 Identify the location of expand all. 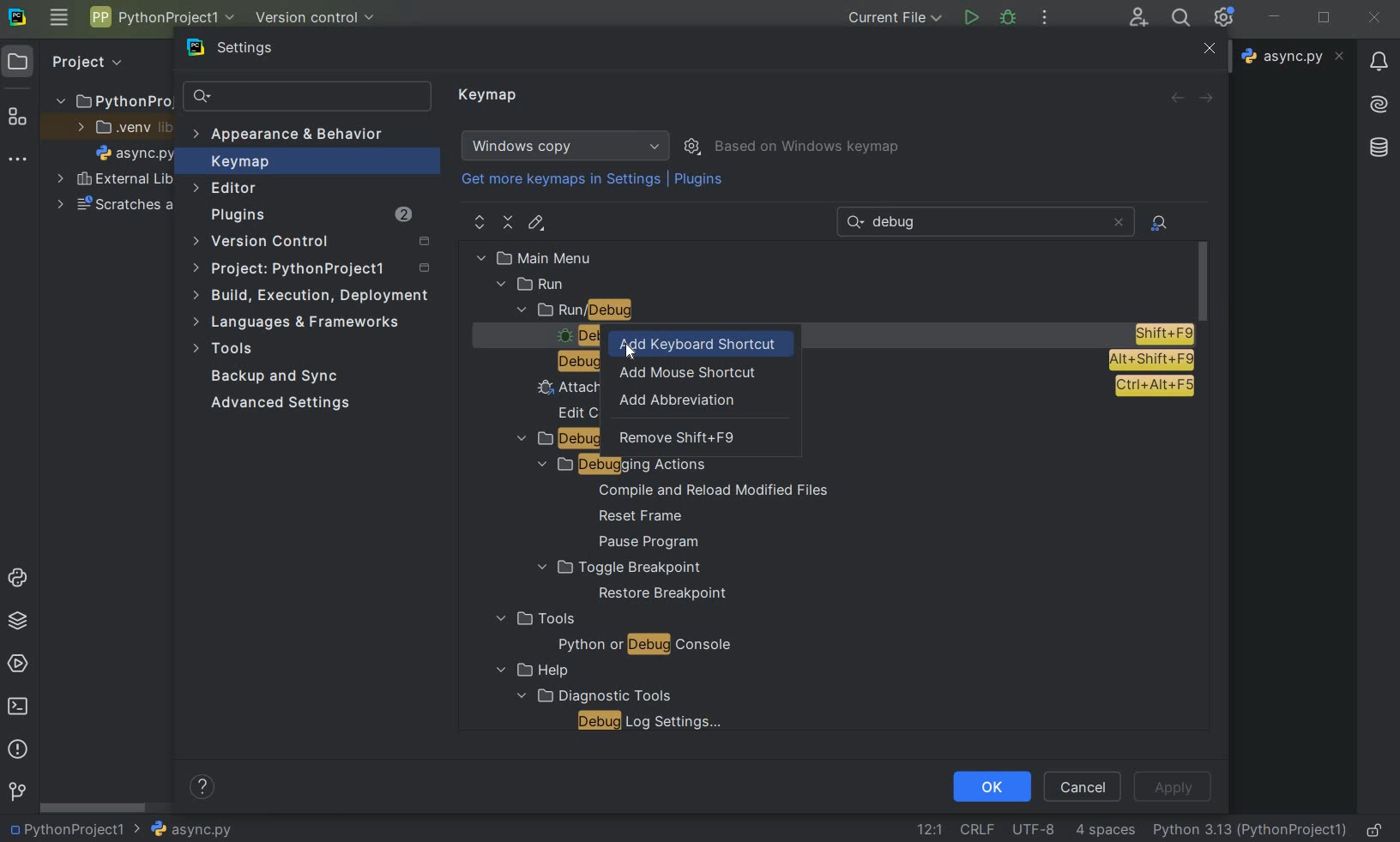
(480, 223).